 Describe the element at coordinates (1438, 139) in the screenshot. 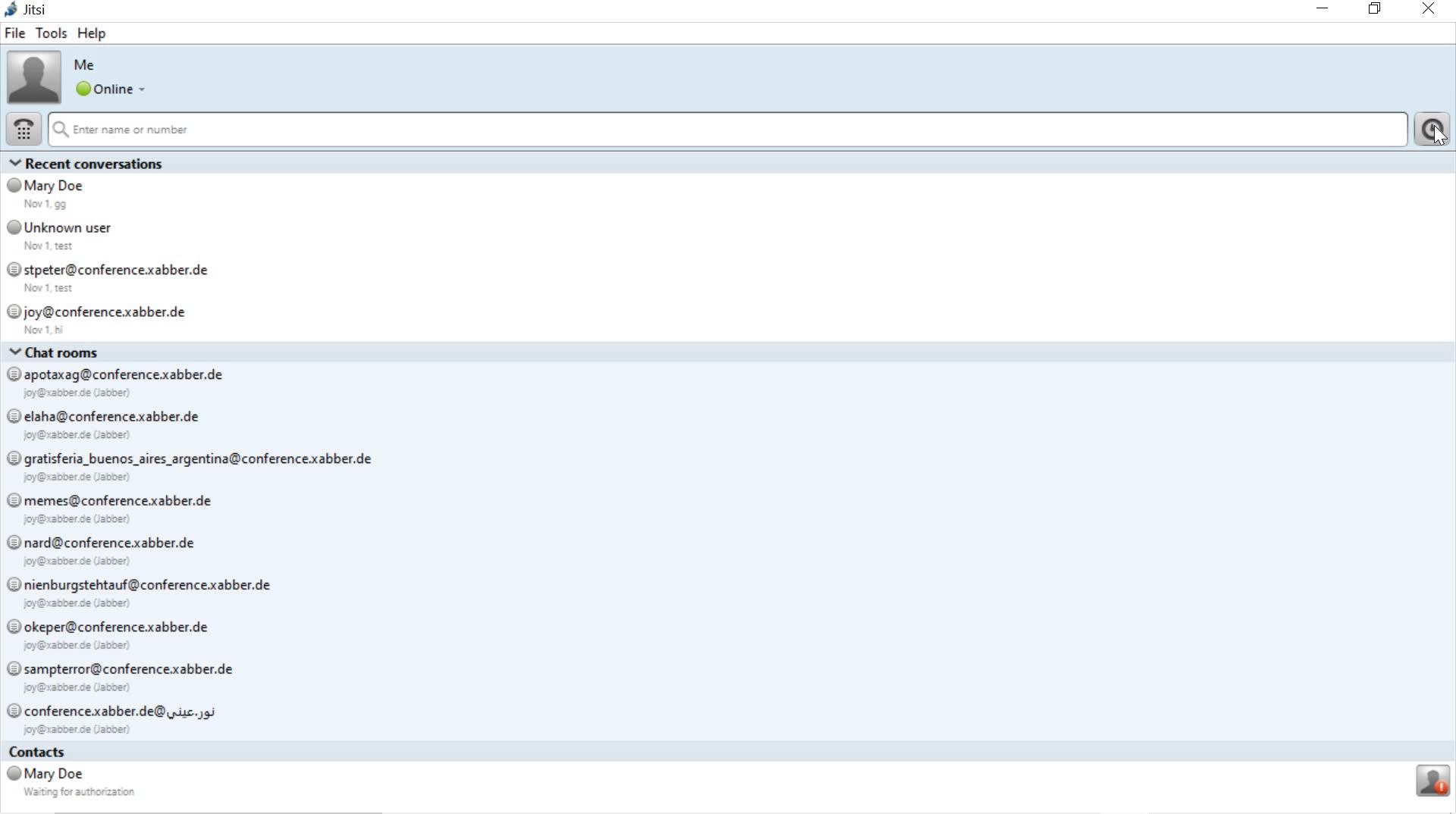

I see `cursor` at that location.